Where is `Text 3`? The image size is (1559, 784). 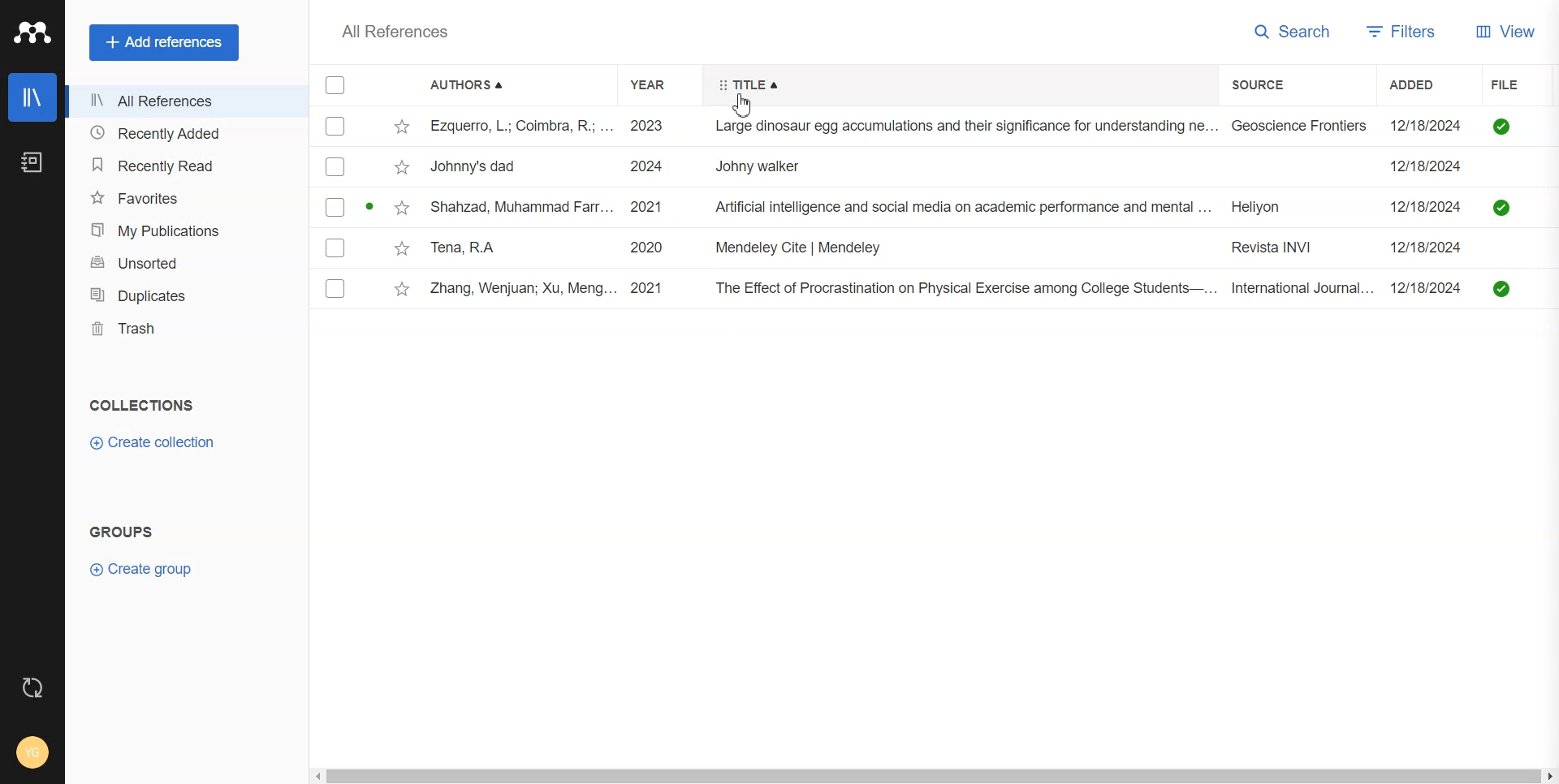
Text 3 is located at coordinates (393, 32).